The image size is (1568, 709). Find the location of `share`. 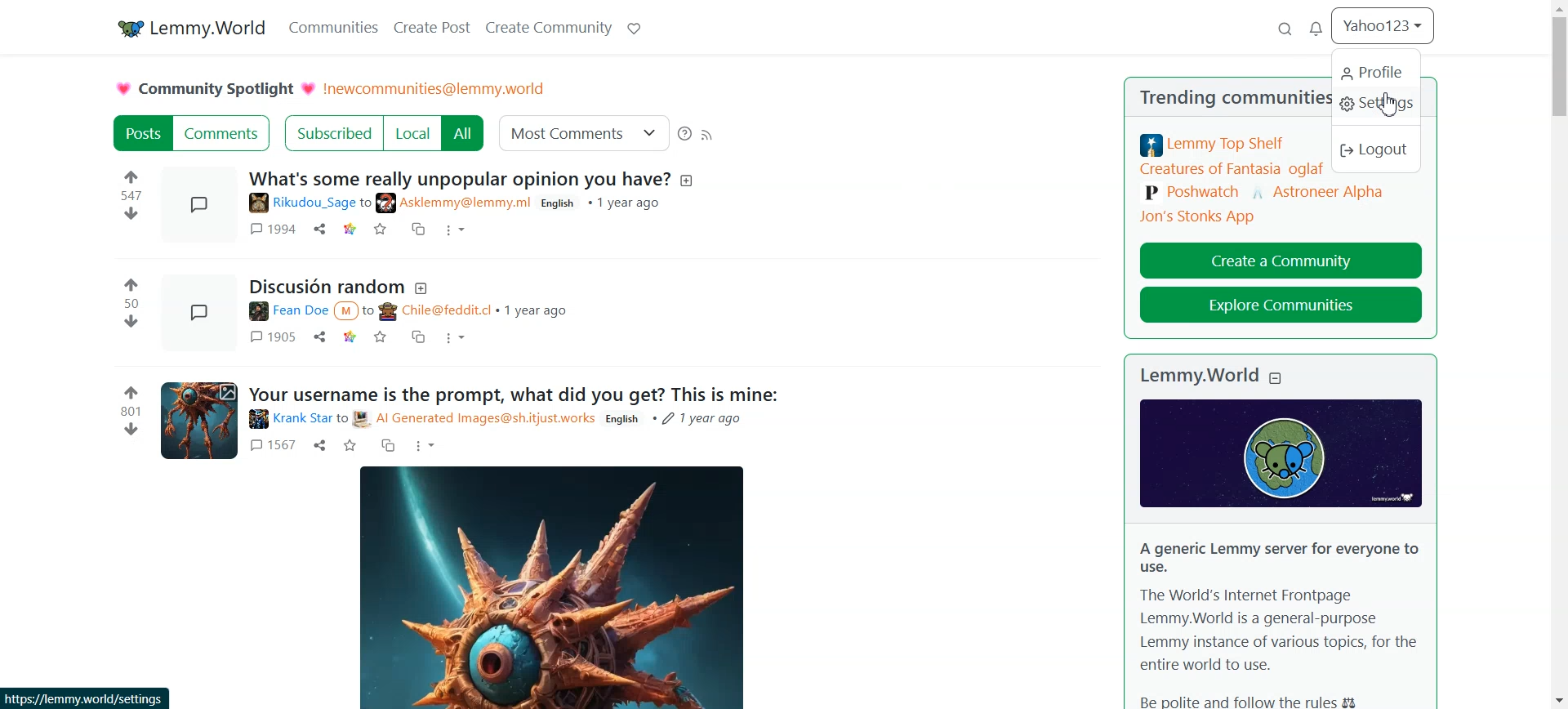

share is located at coordinates (319, 228).